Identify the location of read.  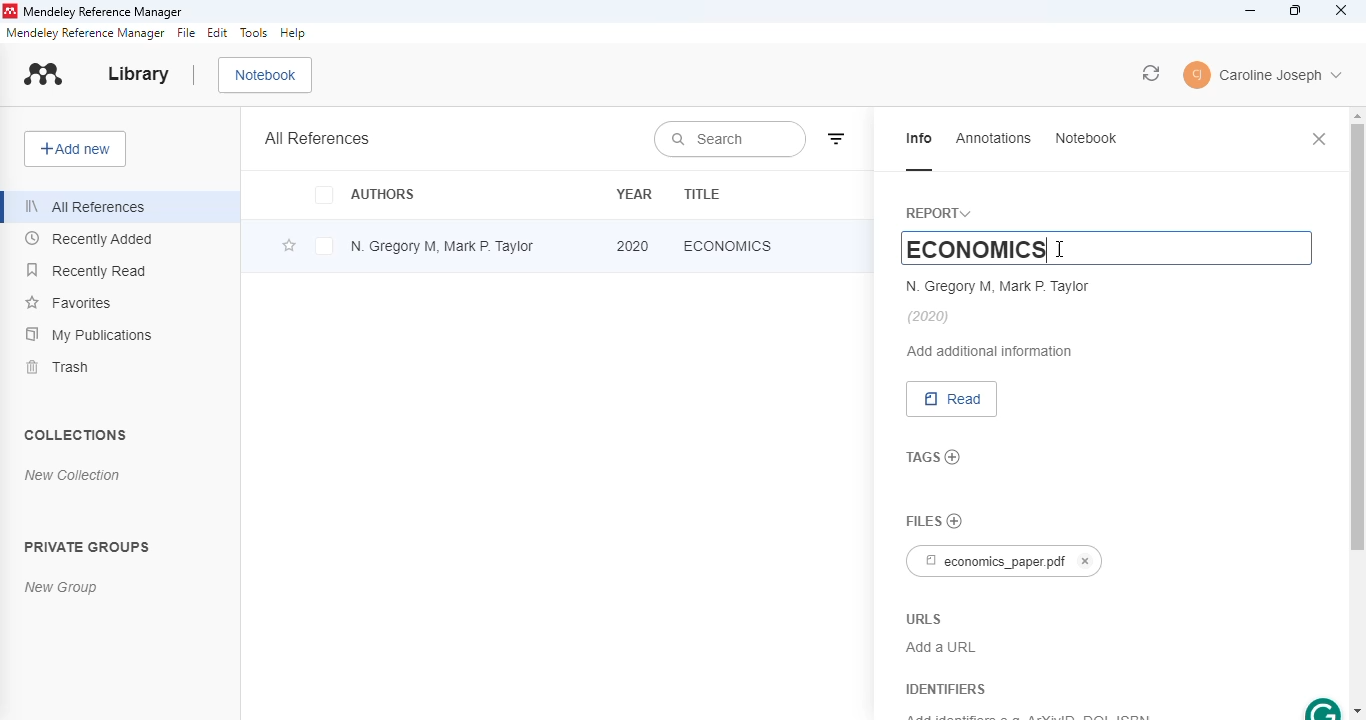
(952, 399).